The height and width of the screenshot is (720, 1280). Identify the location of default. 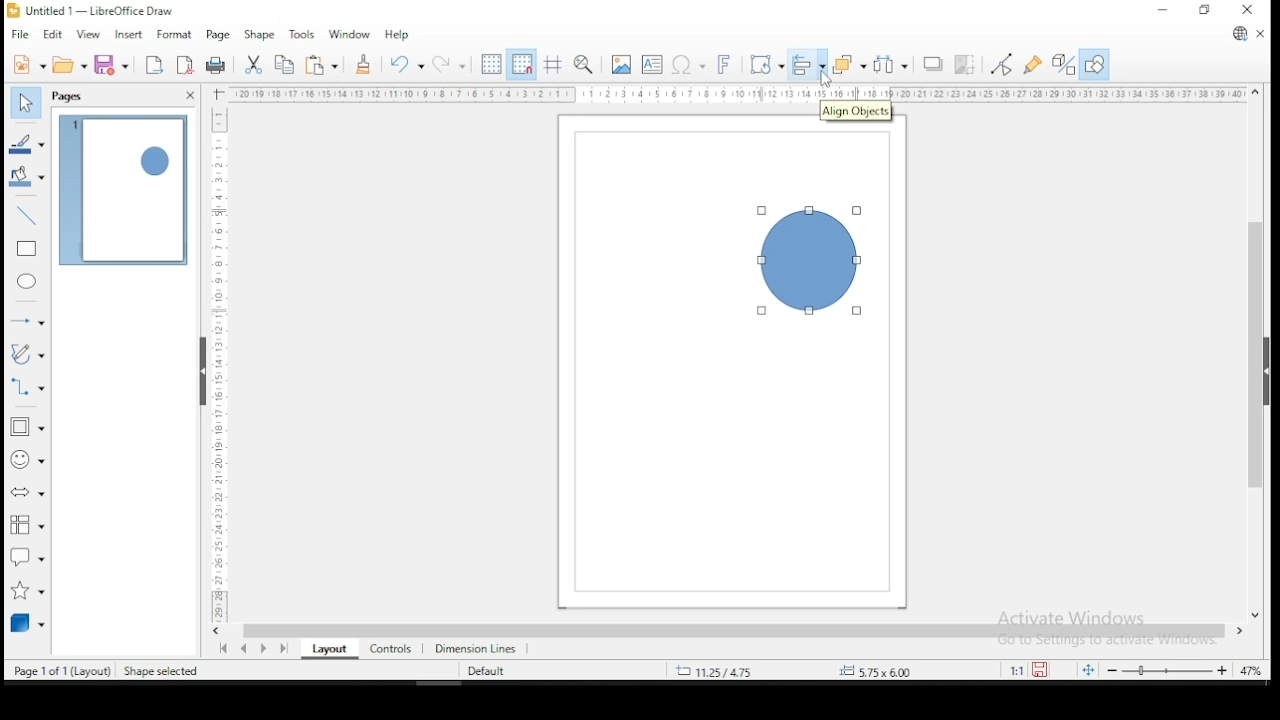
(486, 672).